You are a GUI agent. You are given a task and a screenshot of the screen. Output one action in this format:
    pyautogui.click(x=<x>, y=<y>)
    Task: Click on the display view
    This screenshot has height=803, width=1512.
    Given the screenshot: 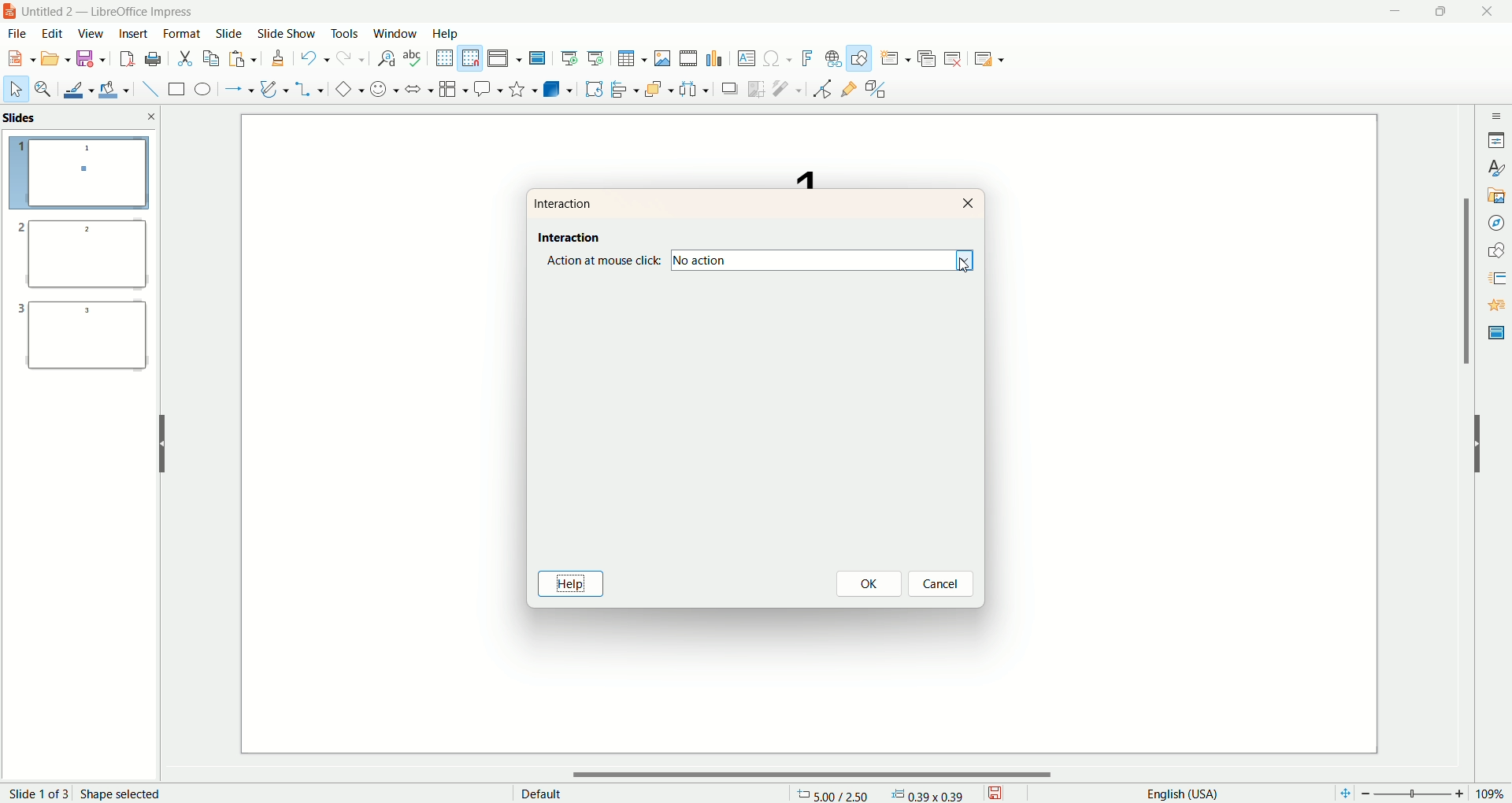 What is the action you would take?
    pyautogui.click(x=506, y=57)
    